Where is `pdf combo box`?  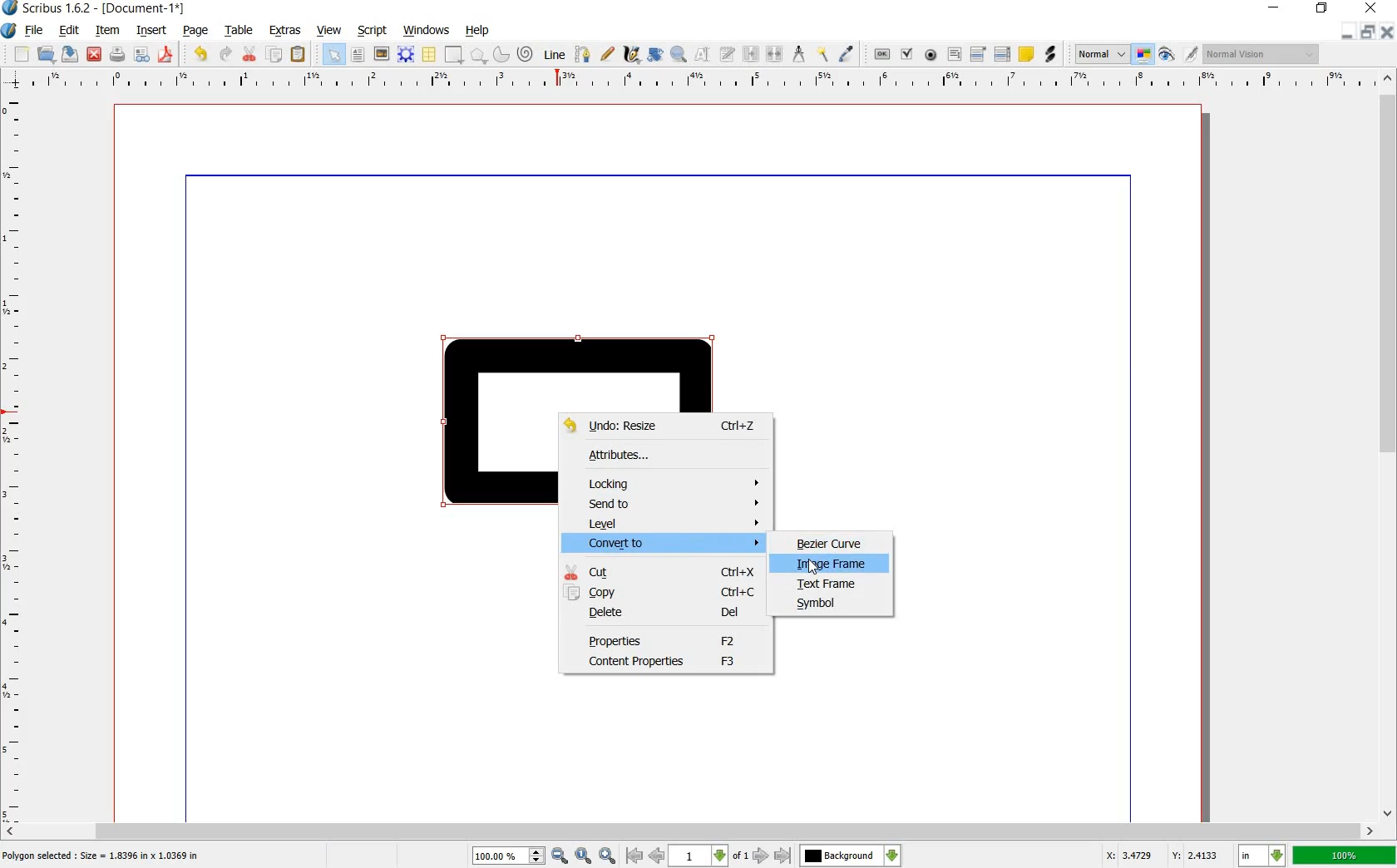
pdf combo box is located at coordinates (978, 55).